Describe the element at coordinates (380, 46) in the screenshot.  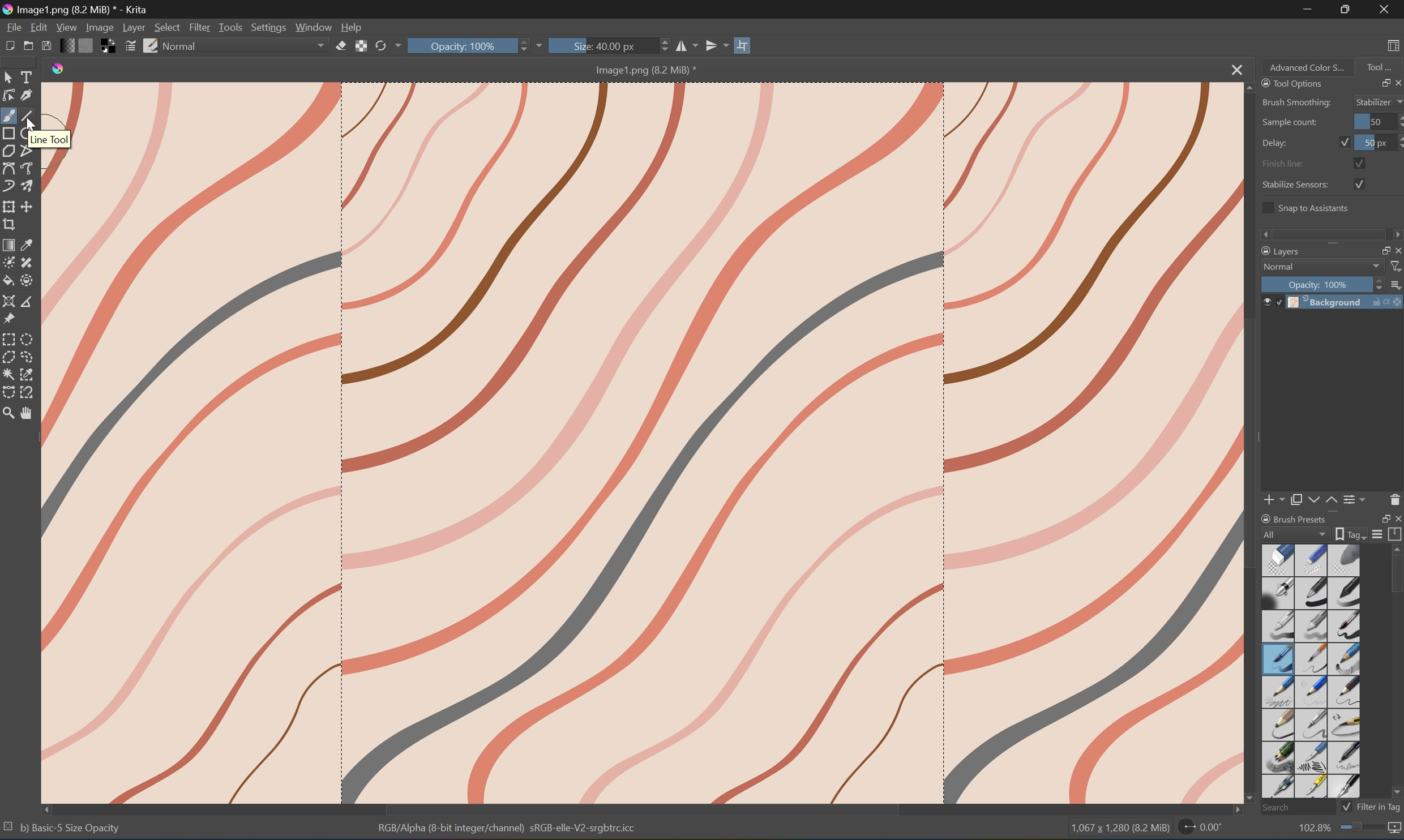
I see `Reload original preset` at that location.